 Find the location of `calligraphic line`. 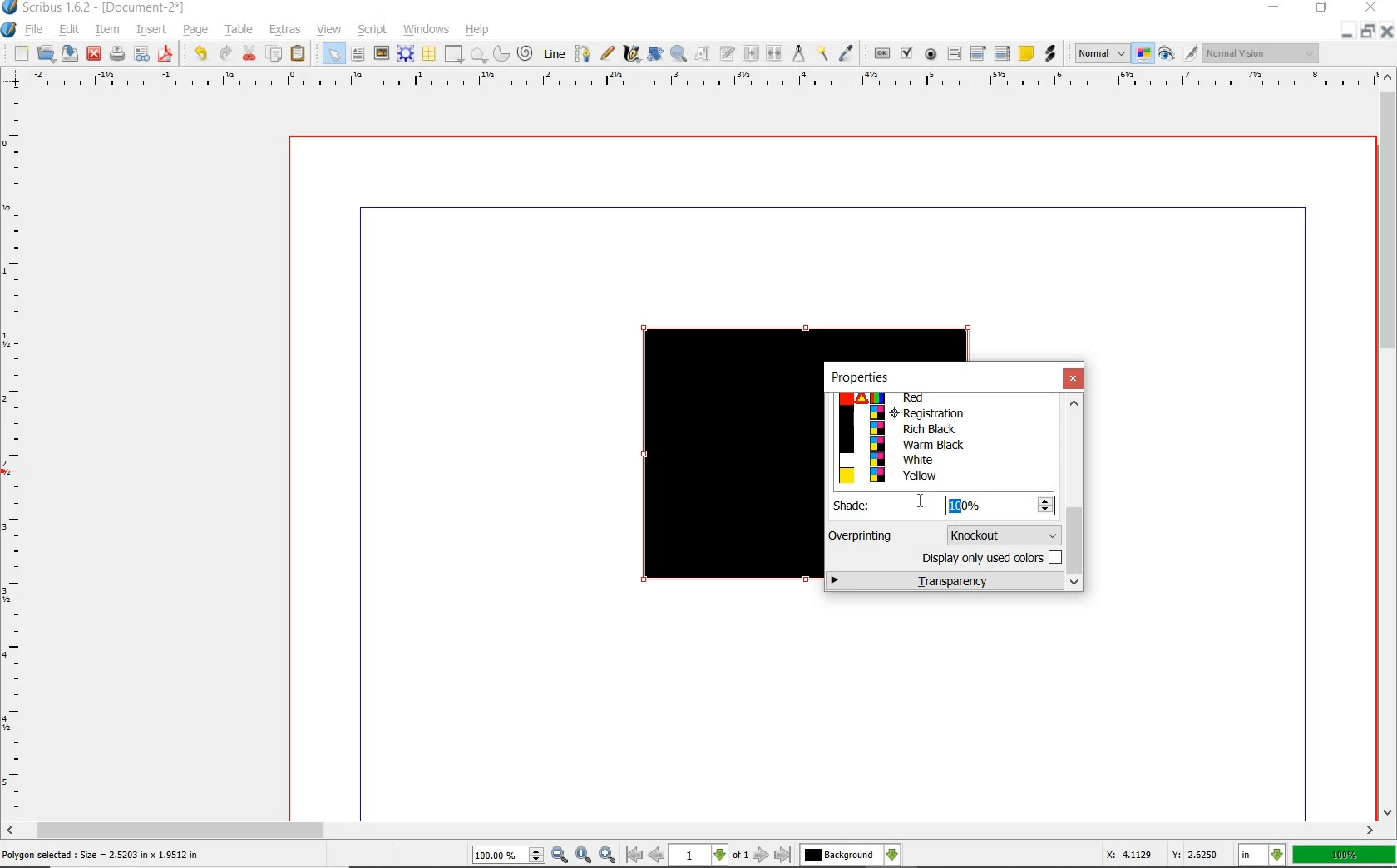

calligraphic line is located at coordinates (631, 54).